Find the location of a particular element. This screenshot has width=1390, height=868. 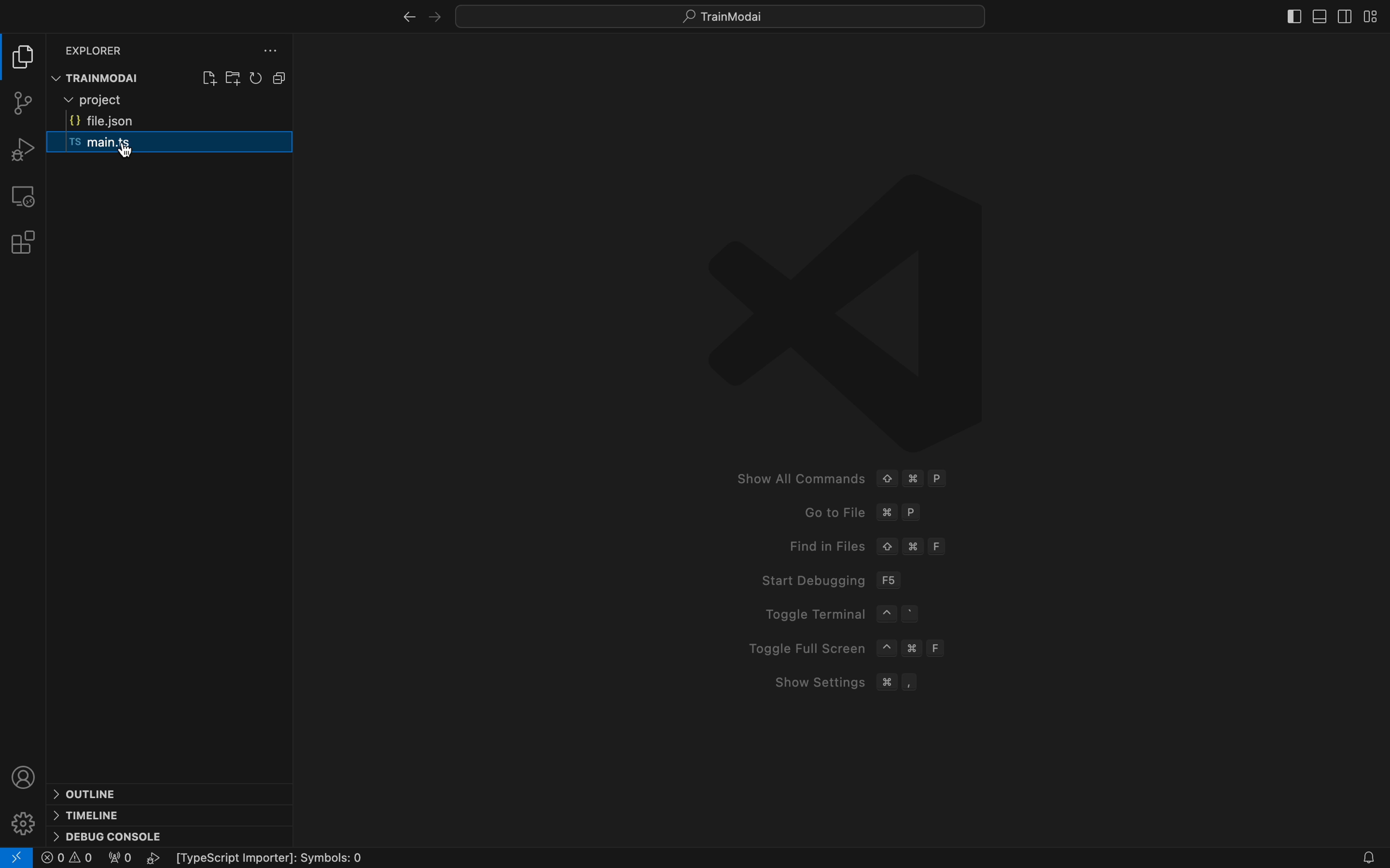

outline is located at coordinates (109, 793).